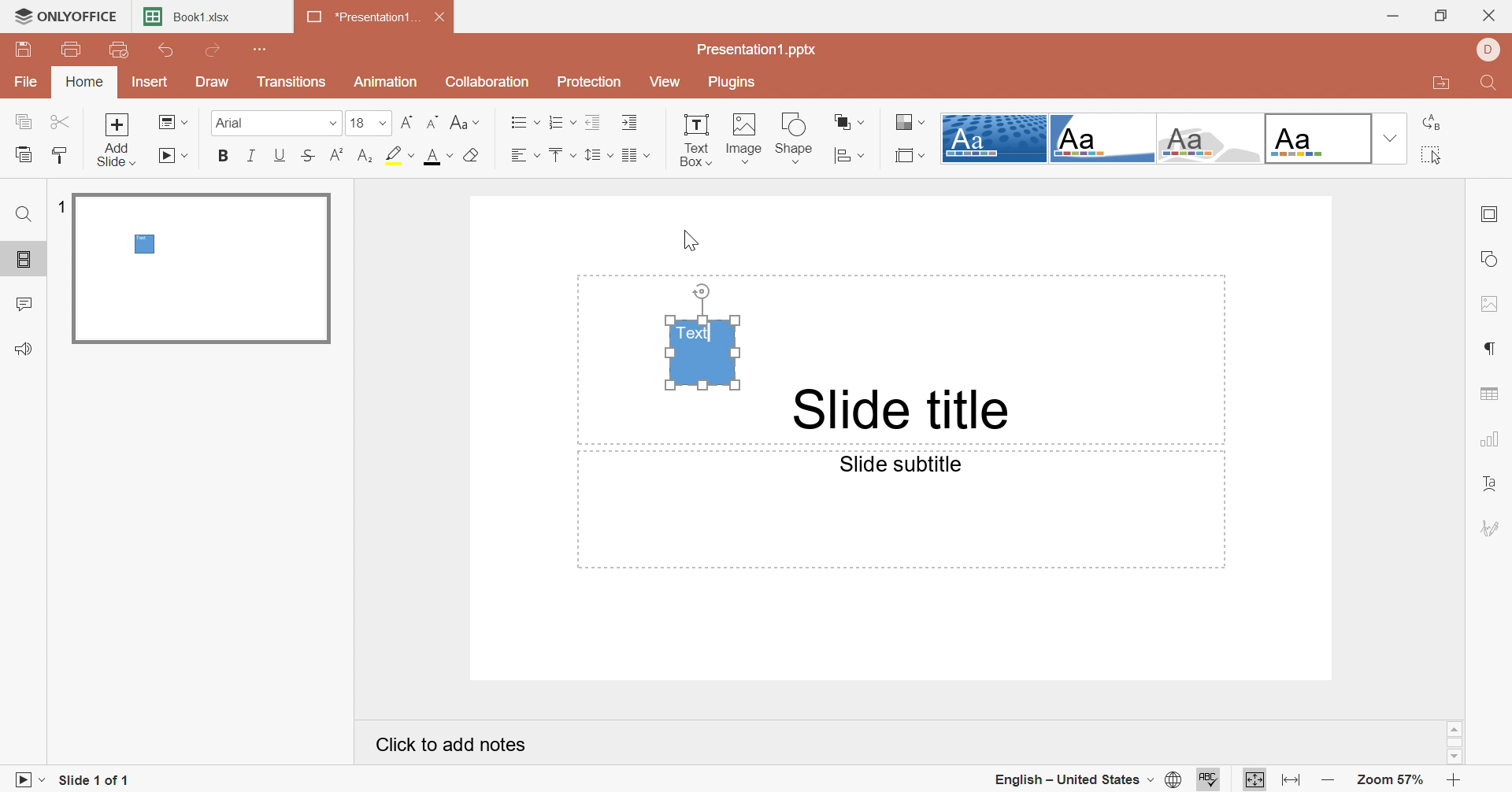 This screenshot has height=792, width=1512. What do you see at coordinates (357, 19) in the screenshot?
I see `*Presentation1...` at bounding box center [357, 19].